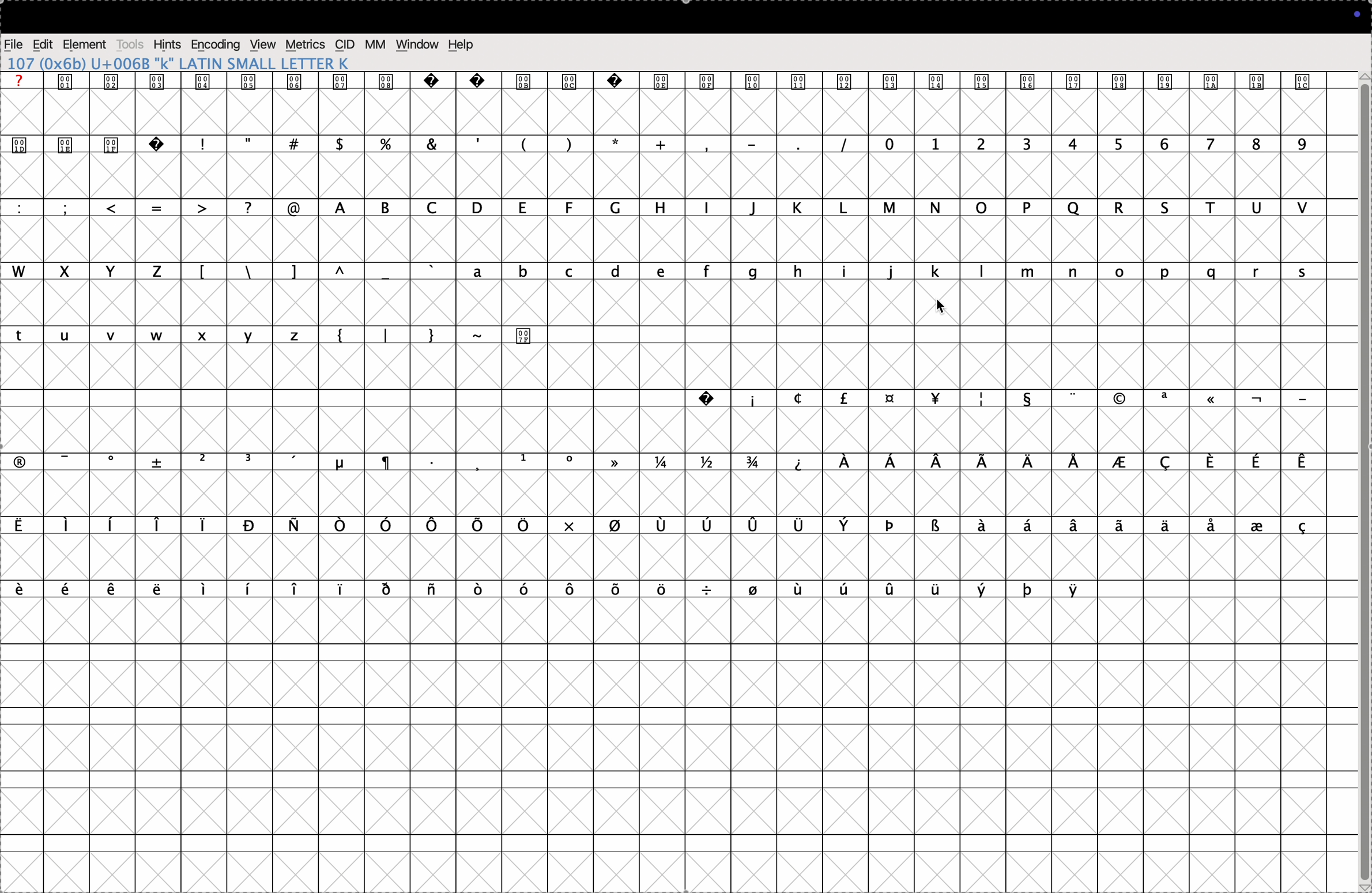 The width and height of the screenshot is (1372, 893). Describe the element at coordinates (1079, 587) in the screenshot. I see `yupsilion` at that location.